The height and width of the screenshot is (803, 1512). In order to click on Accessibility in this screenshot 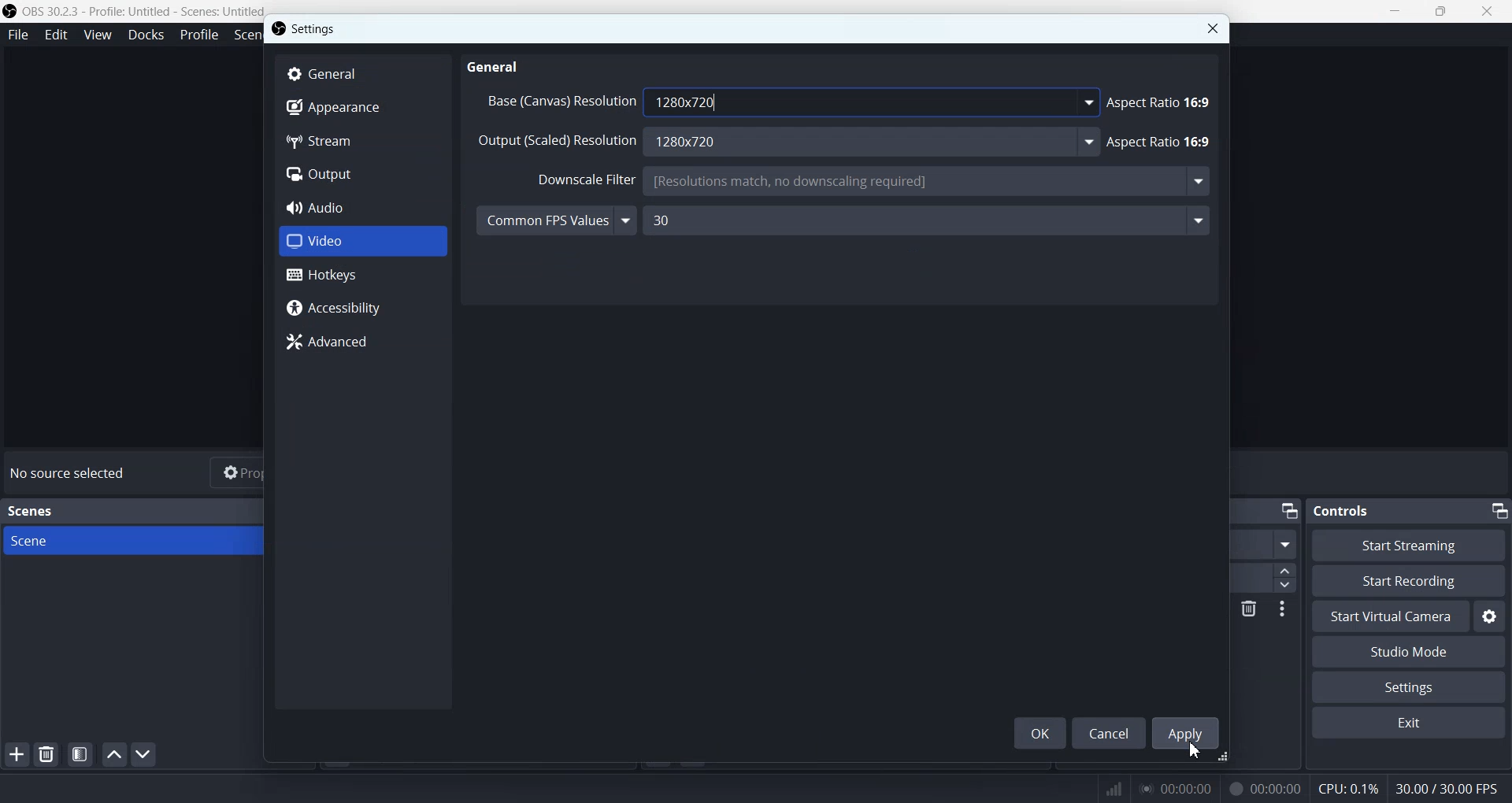, I will do `click(364, 307)`.